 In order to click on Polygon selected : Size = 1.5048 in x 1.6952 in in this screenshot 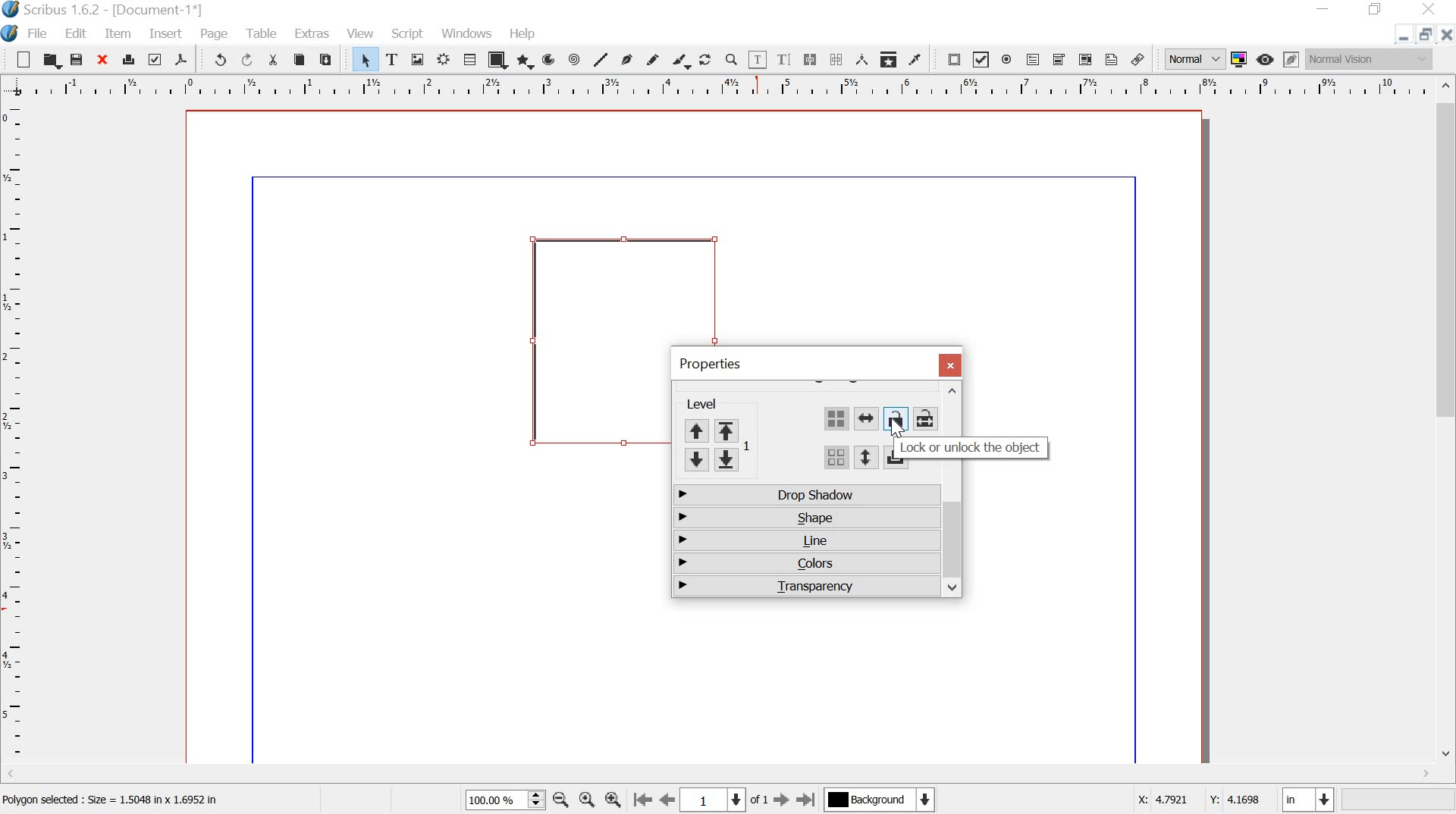, I will do `click(115, 803)`.